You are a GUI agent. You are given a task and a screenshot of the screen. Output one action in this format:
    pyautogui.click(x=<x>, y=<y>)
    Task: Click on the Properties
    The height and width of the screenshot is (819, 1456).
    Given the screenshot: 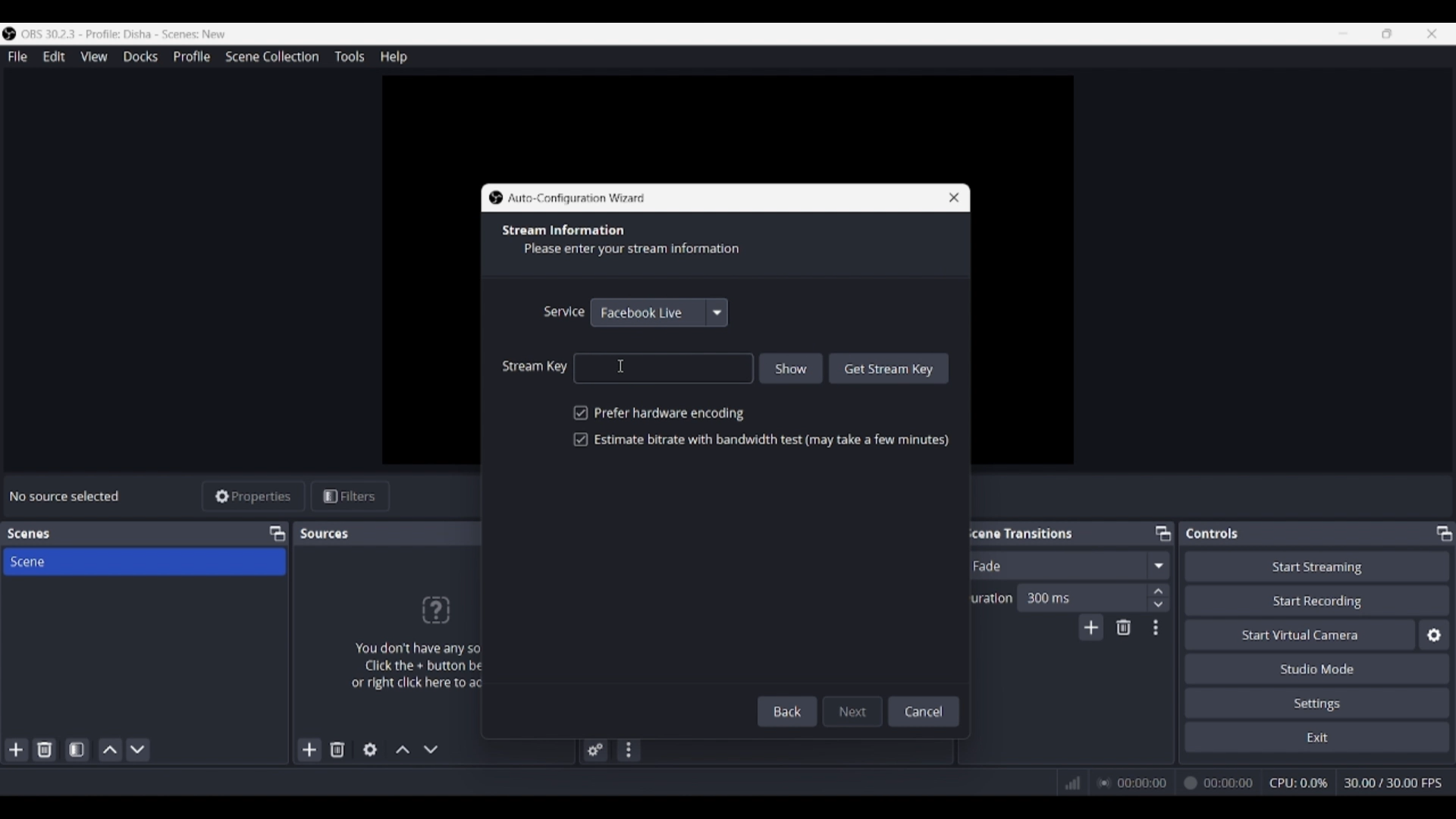 What is the action you would take?
    pyautogui.click(x=254, y=497)
    